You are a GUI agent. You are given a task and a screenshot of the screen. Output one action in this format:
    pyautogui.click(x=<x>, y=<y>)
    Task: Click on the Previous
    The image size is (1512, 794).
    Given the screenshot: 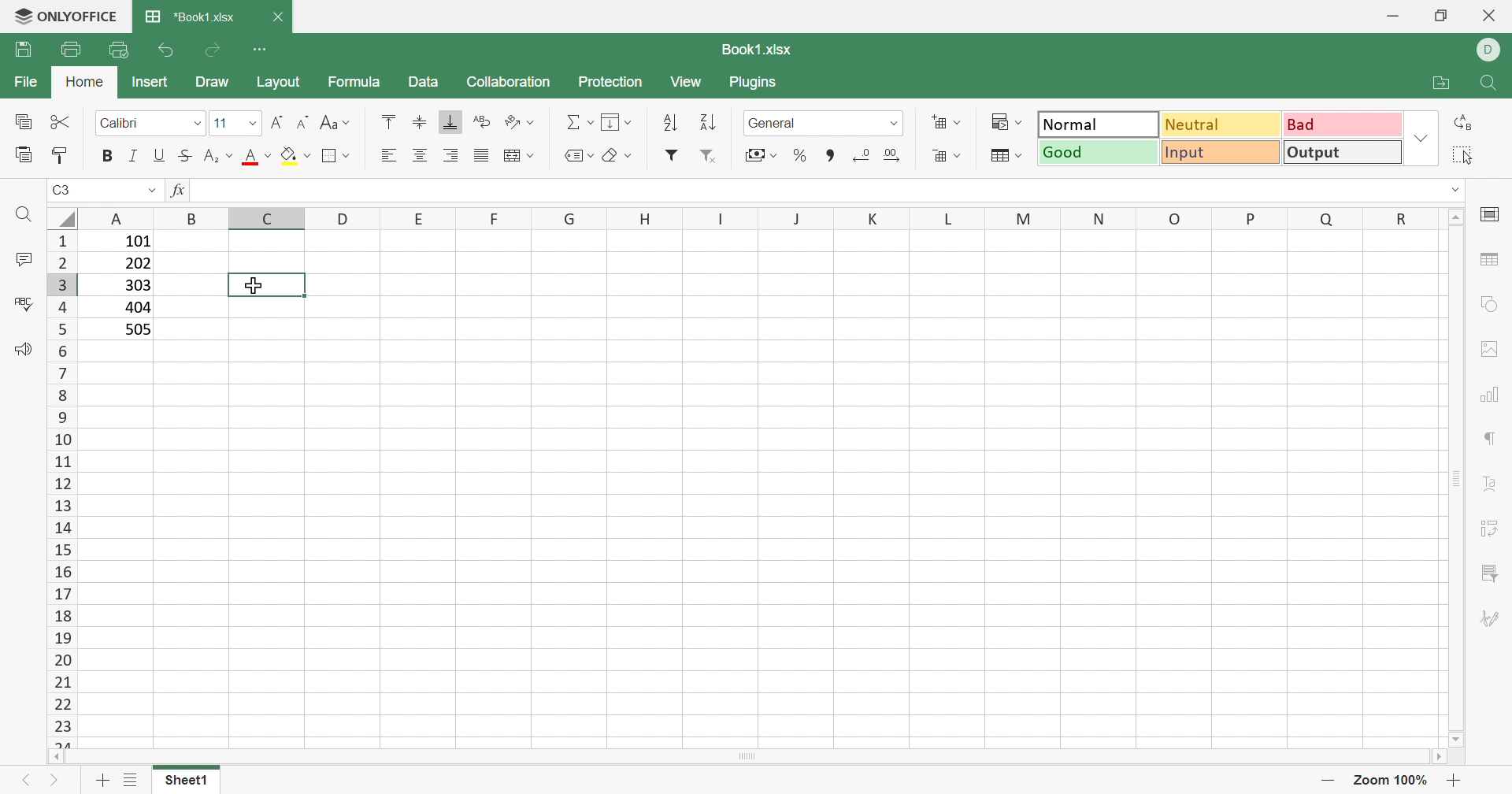 What is the action you would take?
    pyautogui.click(x=23, y=779)
    